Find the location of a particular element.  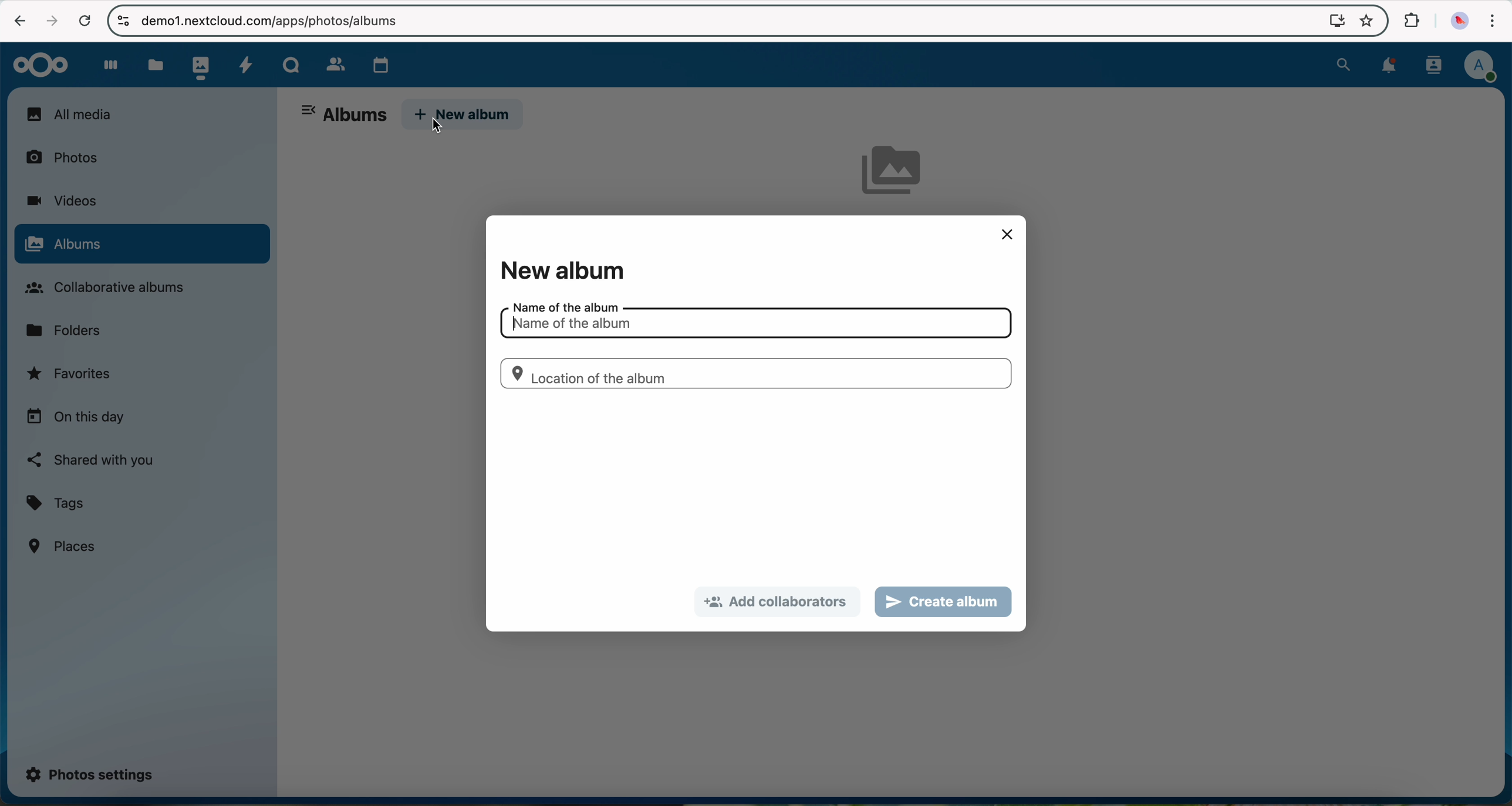

contacts  is located at coordinates (331, 62).